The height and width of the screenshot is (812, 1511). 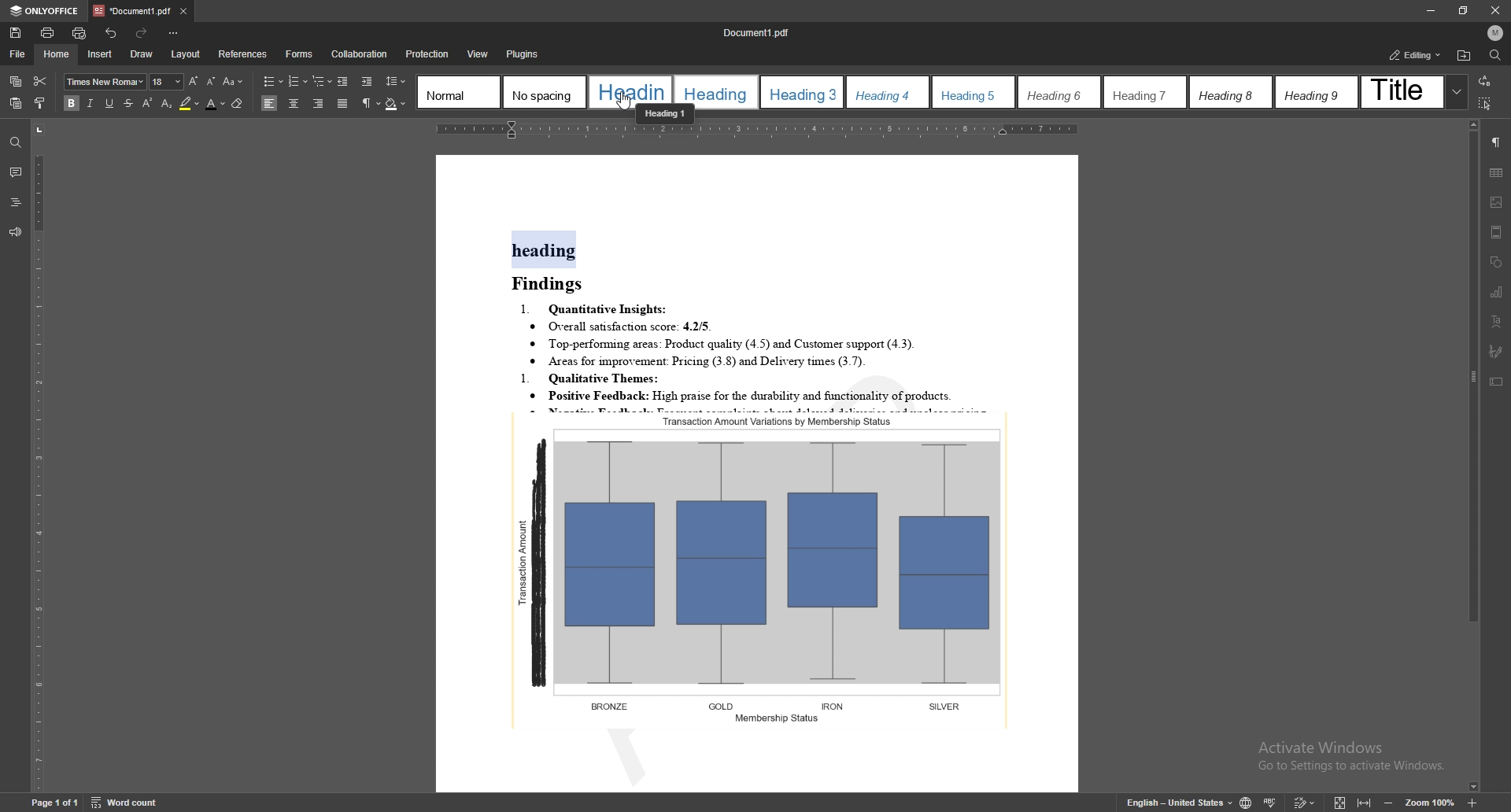 What do you see at coordinates (554, 284) in the screenshot?
I see `Findings` at bounding box center [554, 284].